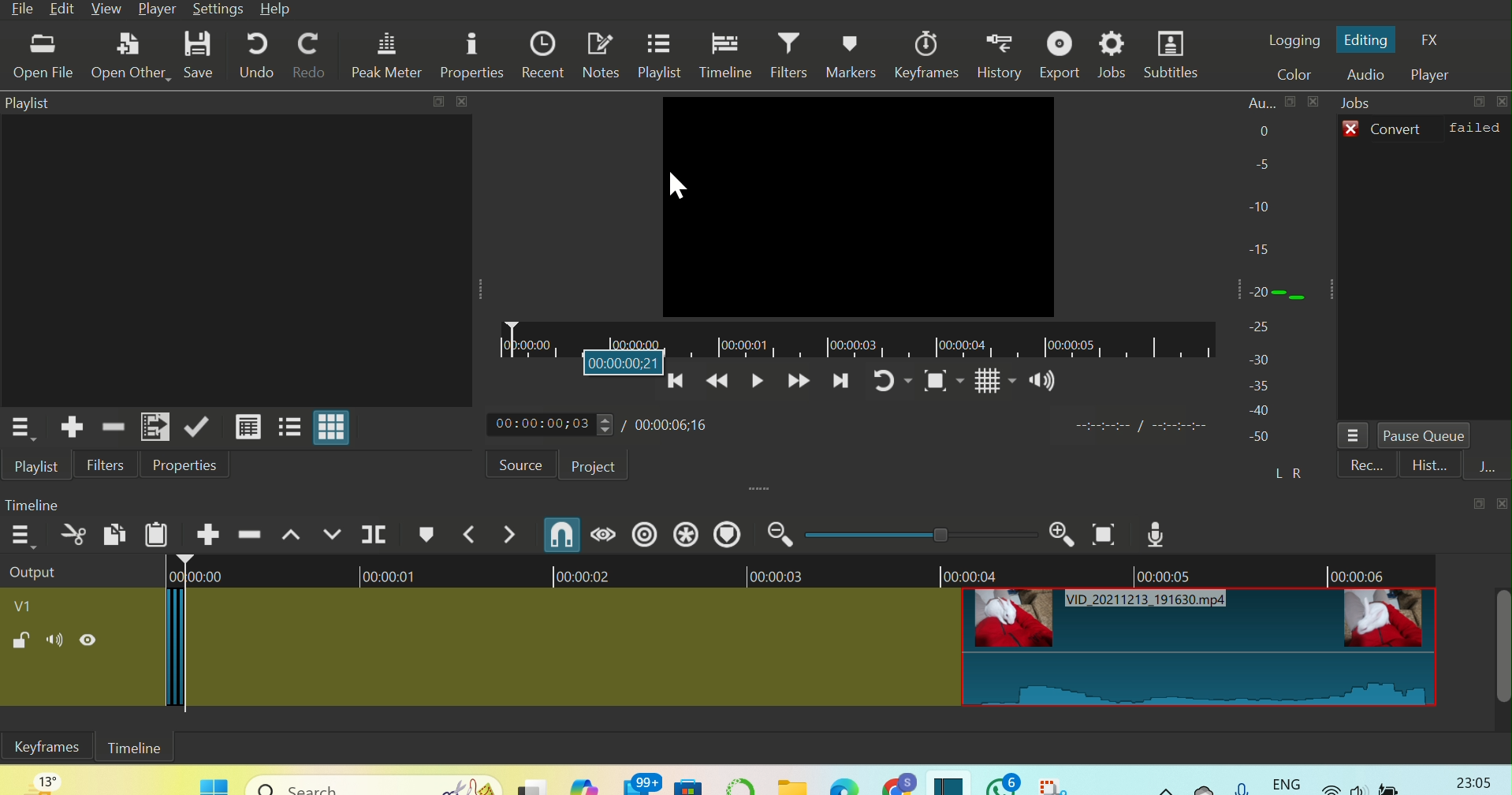  I want to click on Grid, so click(248, 427).